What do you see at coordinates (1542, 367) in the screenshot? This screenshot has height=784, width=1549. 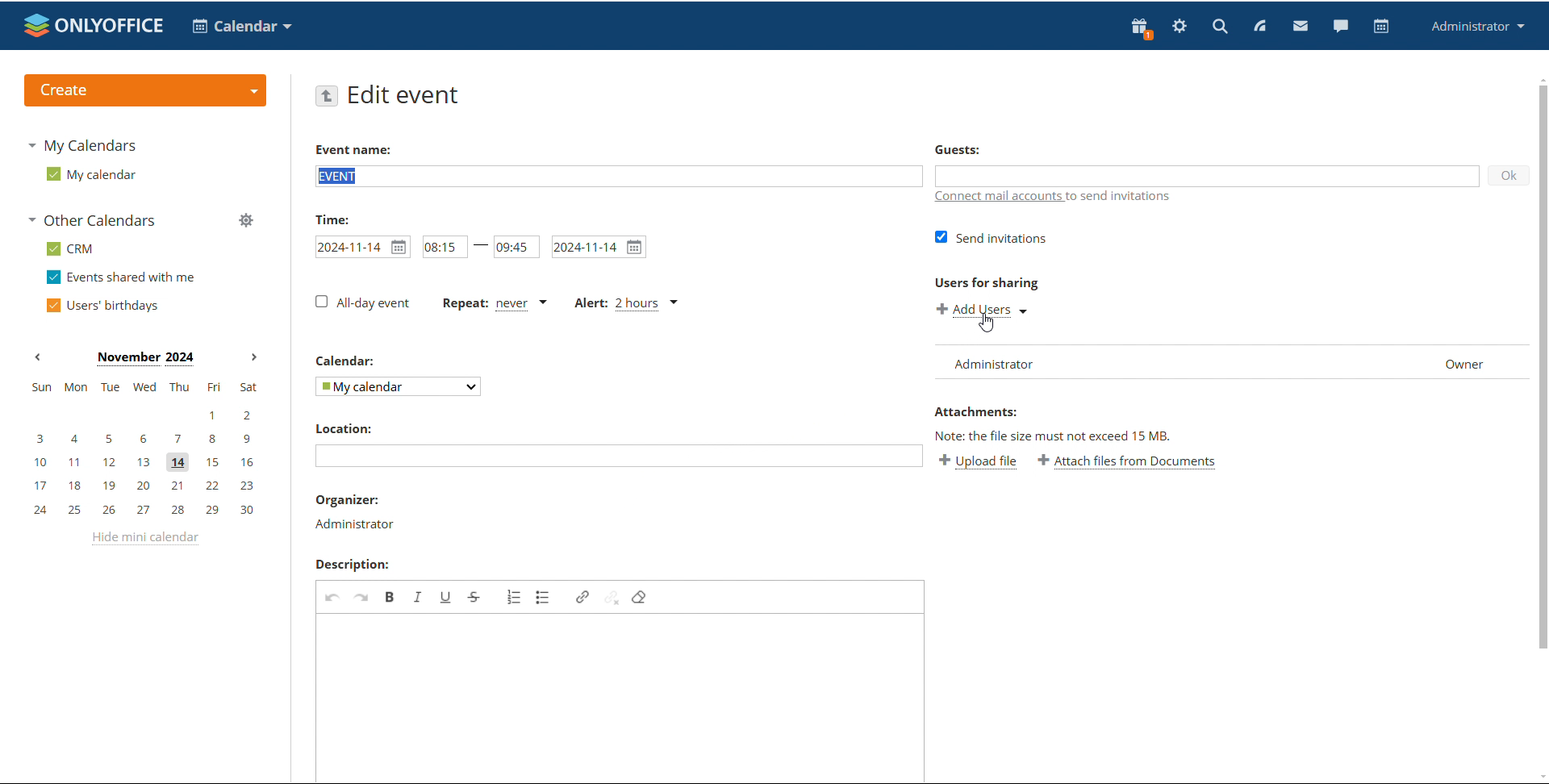 I see `scrollbar` at bounding box center [1542, 367].